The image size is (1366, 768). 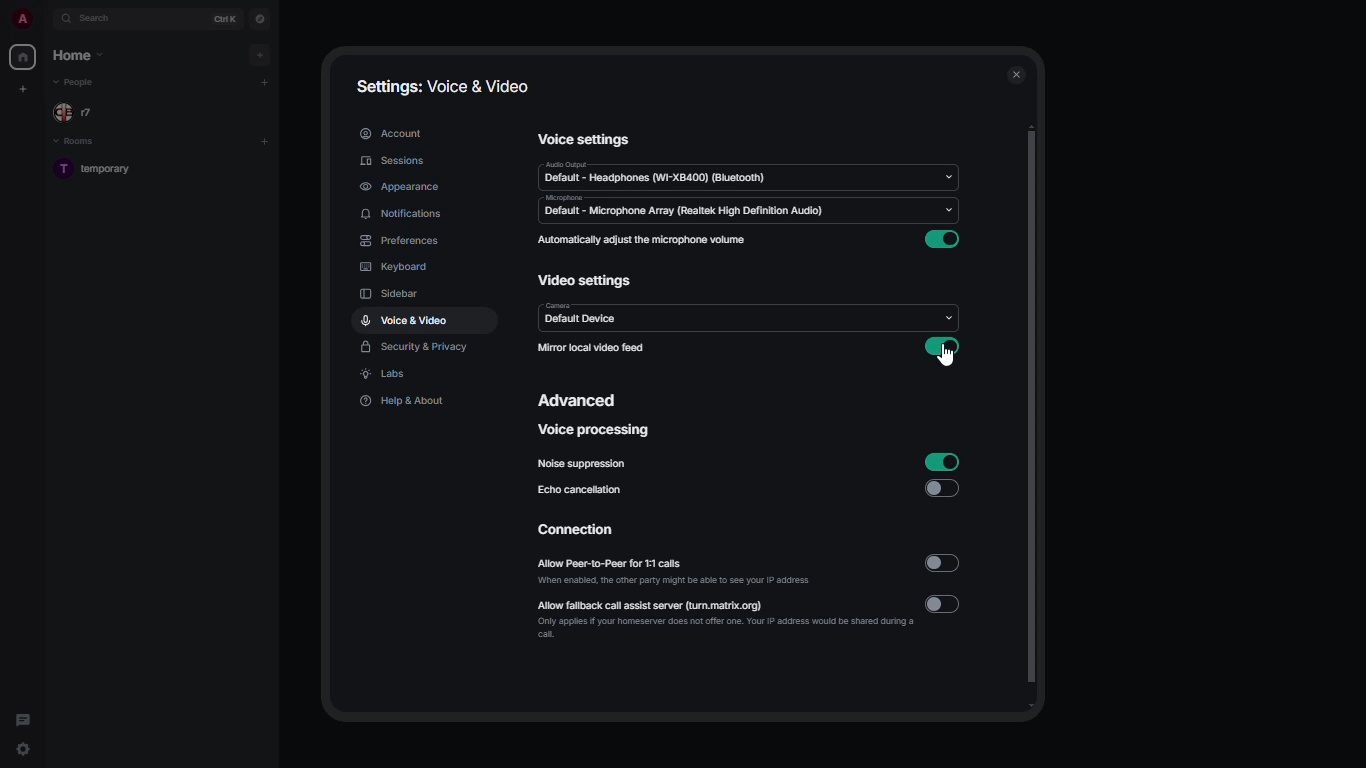 I want to click on allow fallback call assist server, so click(x=725, y=618).